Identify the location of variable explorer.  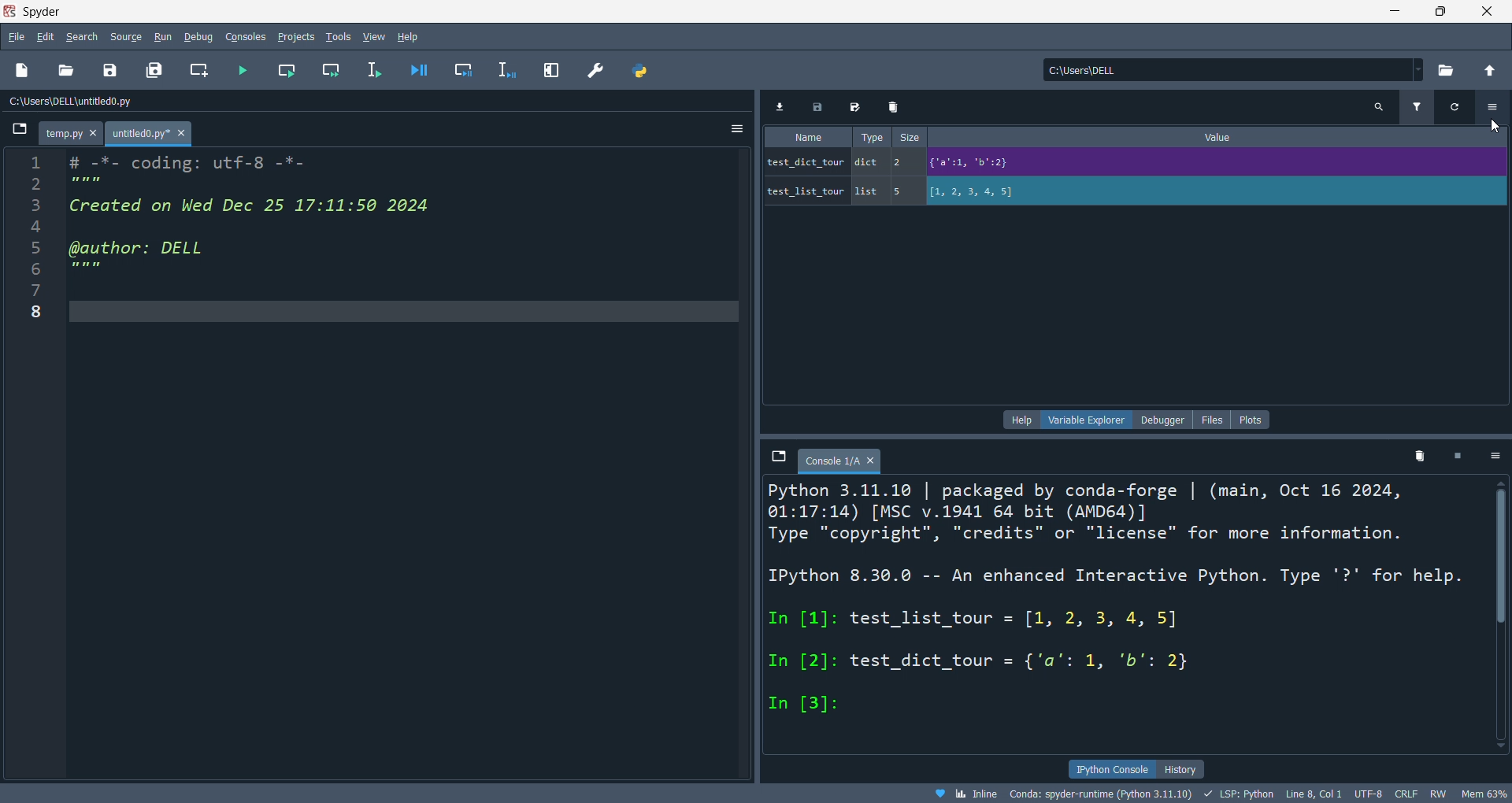
(1088, 420).